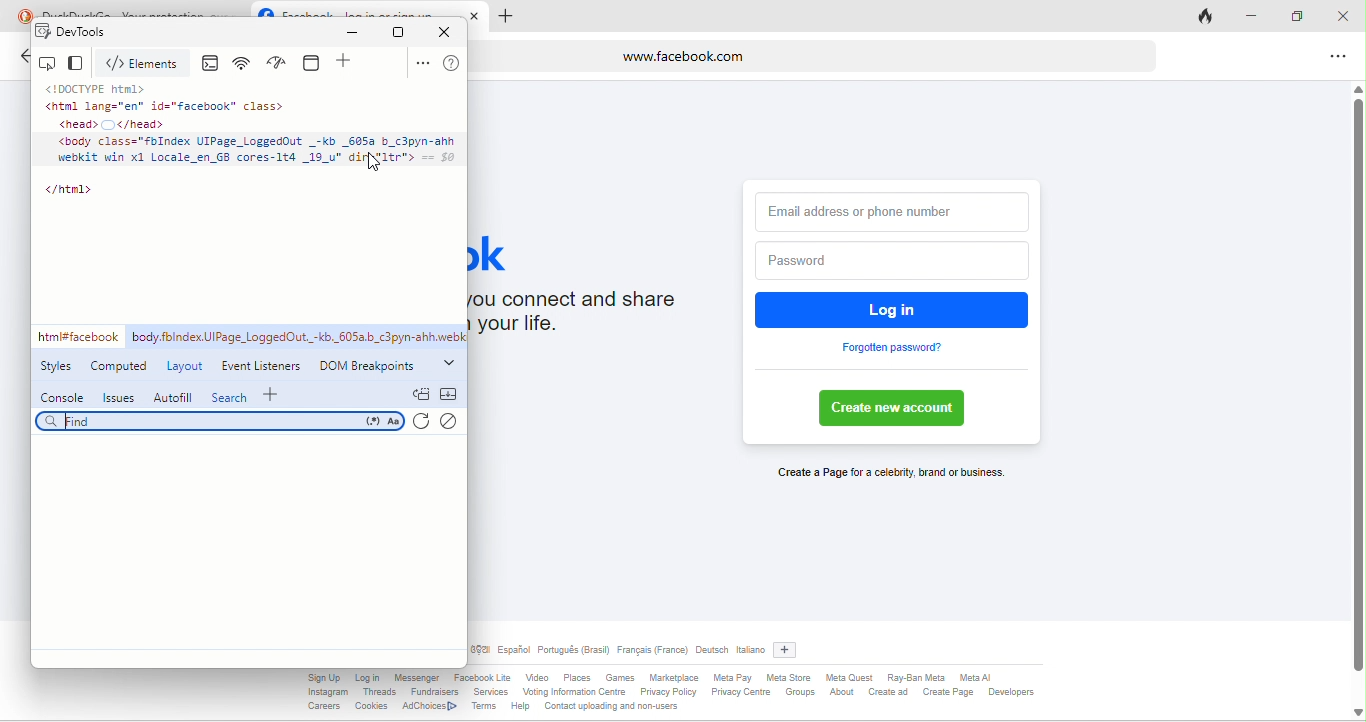 The height and width of the screenshot is (722, 1366). I want to click on clear, so click(454, 422).